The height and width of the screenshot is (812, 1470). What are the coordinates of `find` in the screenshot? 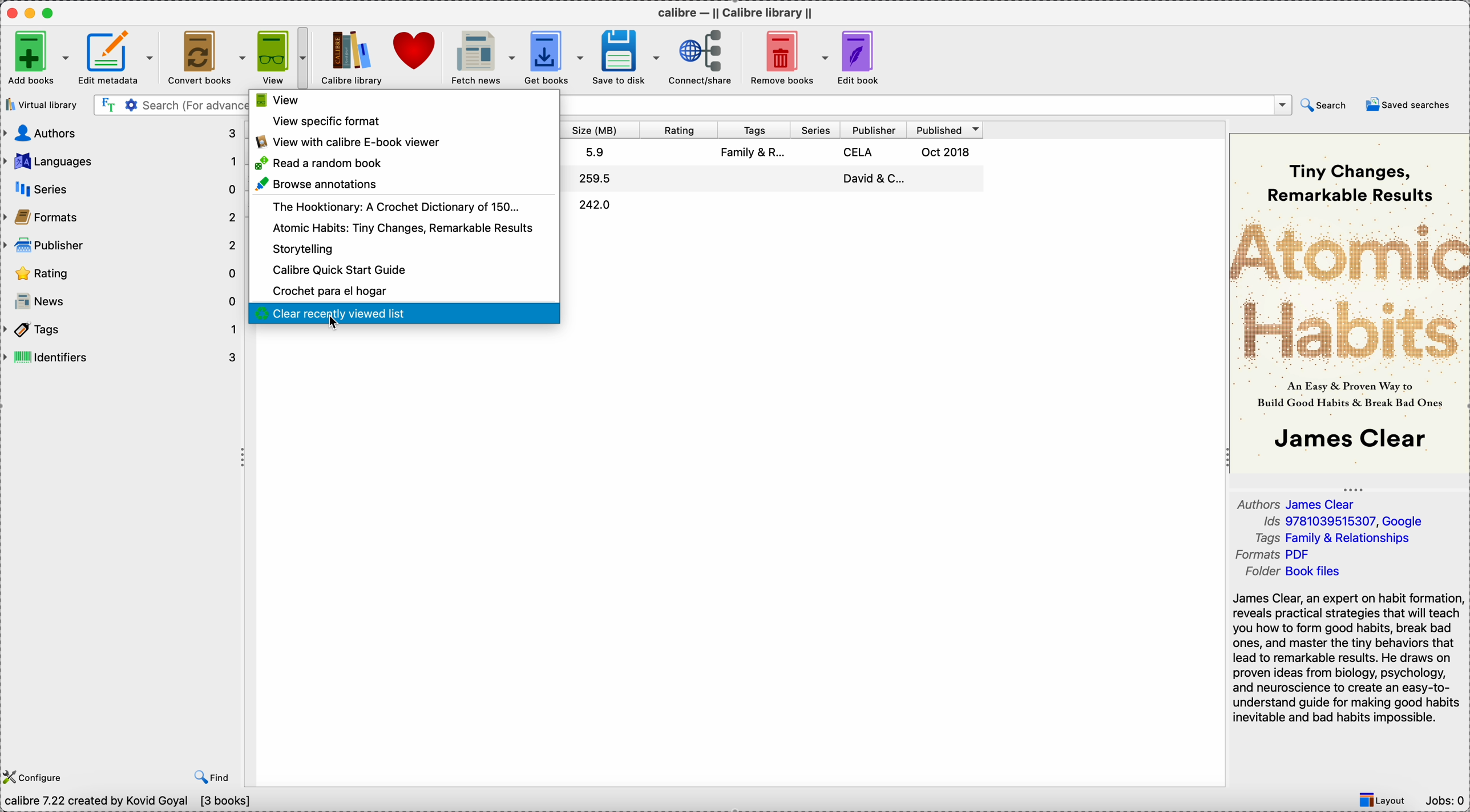 It's located at (209, 775).